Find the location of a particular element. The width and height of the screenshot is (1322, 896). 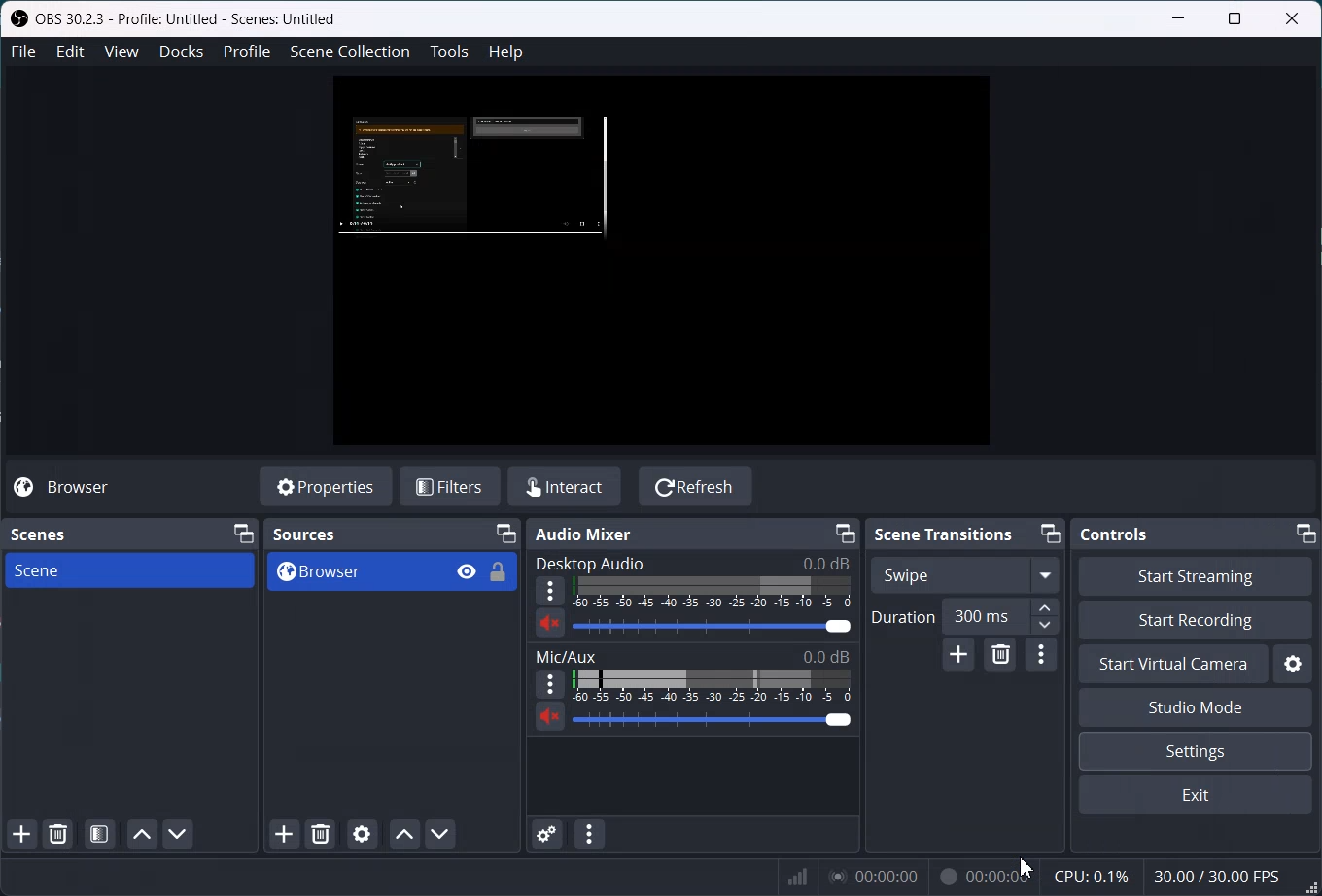

Remove configurable transition is located at coordinates (1000, 655).